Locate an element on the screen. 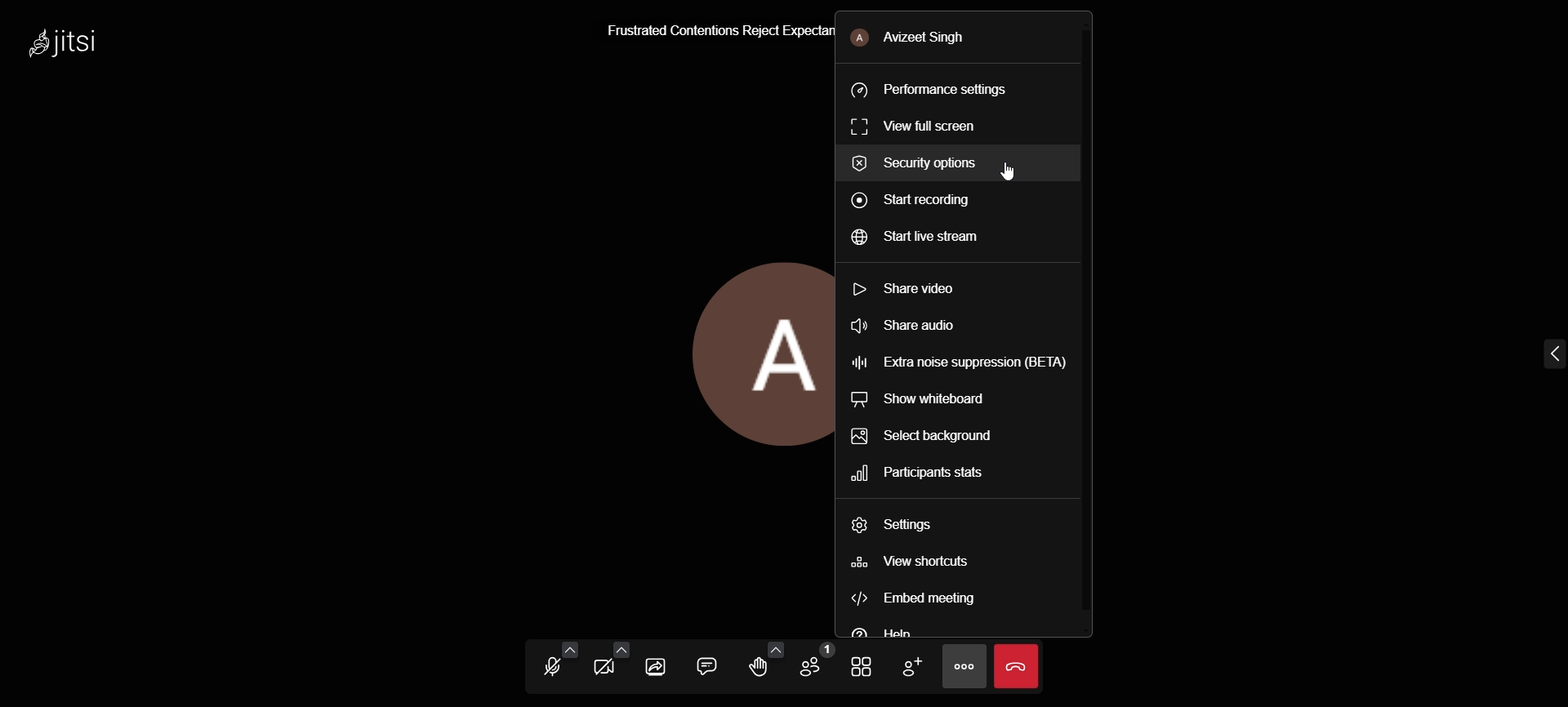 Image resolution: width=1568 pixels, height=707 pixels. performance setting is located at coordinates (945, 89).